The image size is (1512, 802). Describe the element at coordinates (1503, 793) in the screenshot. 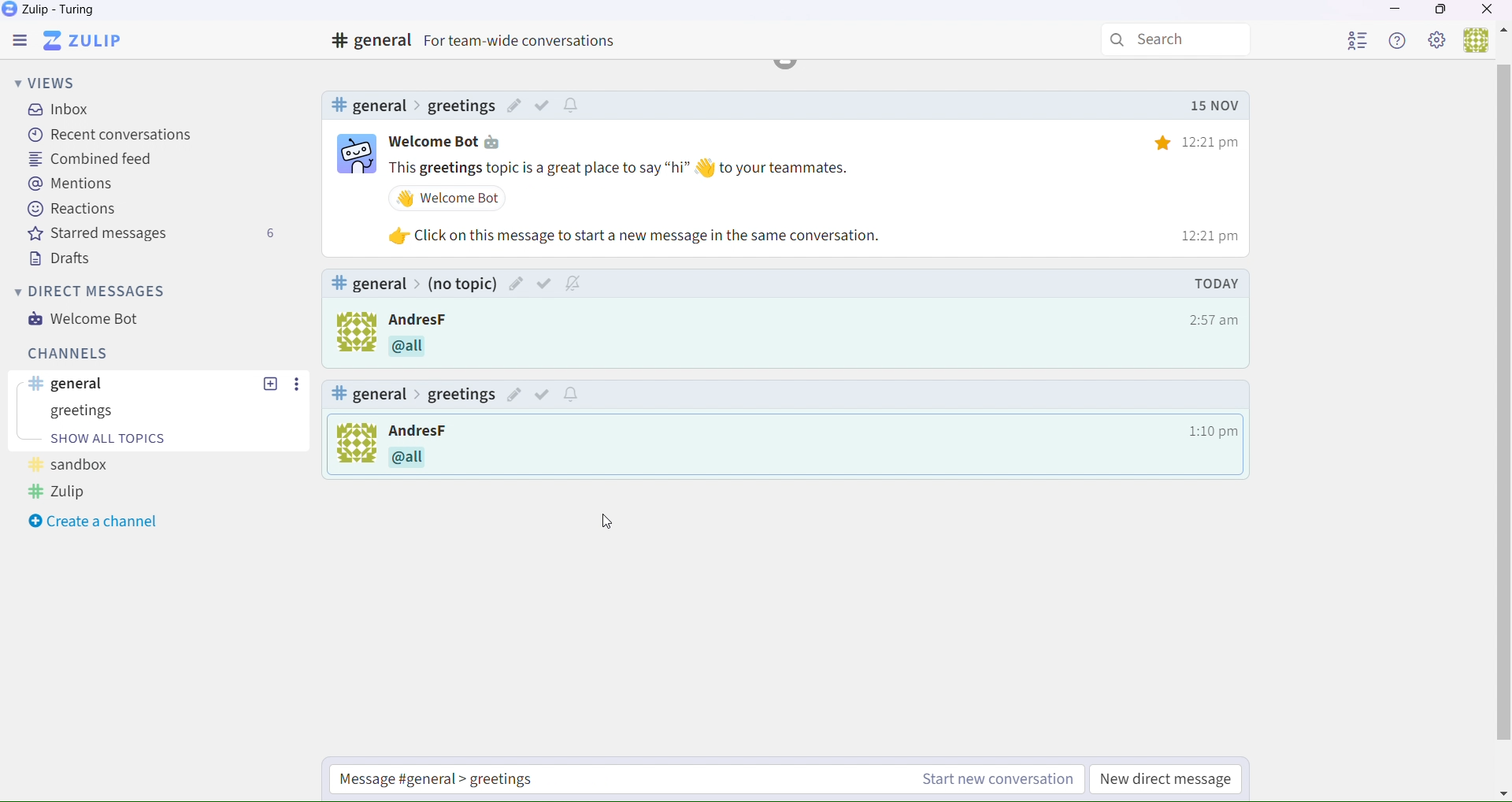

I see `` at that location.